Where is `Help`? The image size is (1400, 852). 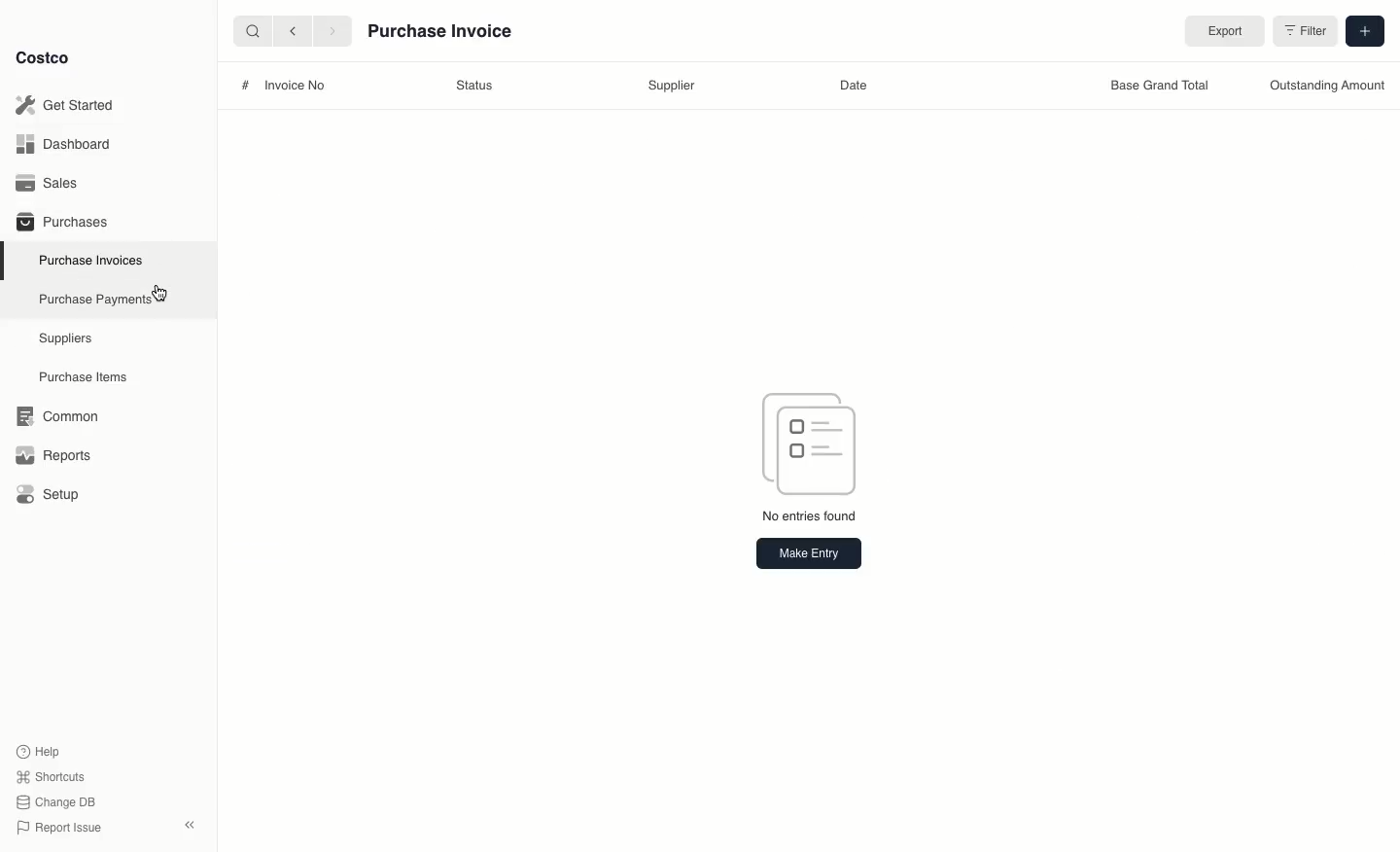 Help is located at coordinates (38, 750).